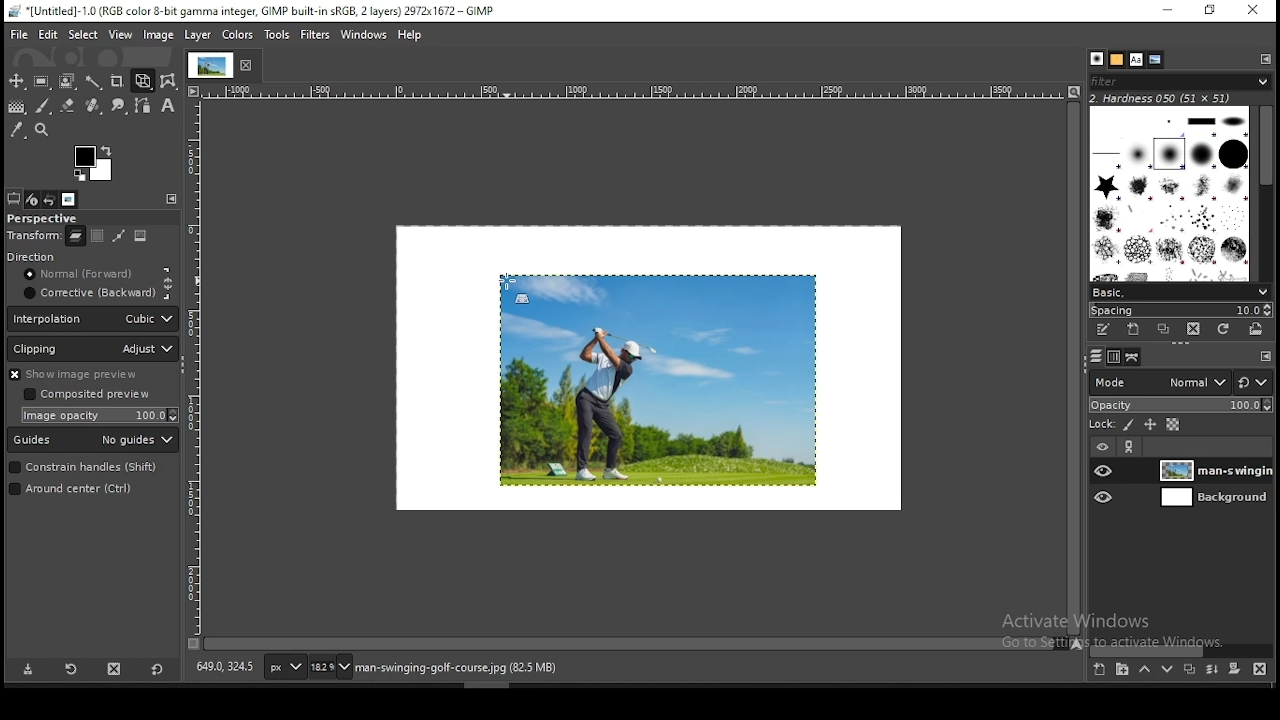 The height and width of the screenshot is (720, 1280). What do you see at coordinates (1254, 11) in the screenshot?
I see `close window` at bounding box center [1254, 11].